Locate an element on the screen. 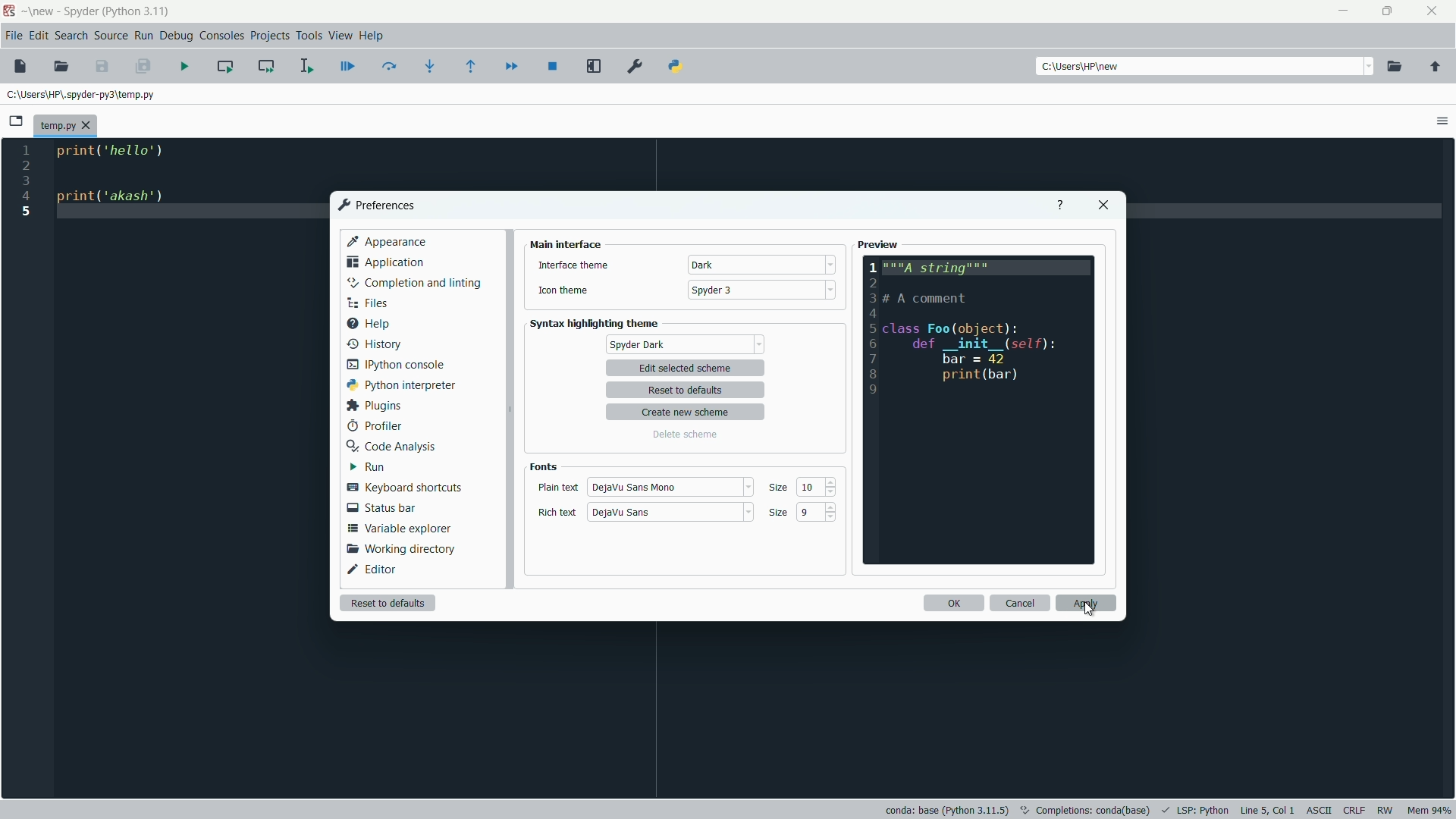  rich text is located at coordinates (558, 513).